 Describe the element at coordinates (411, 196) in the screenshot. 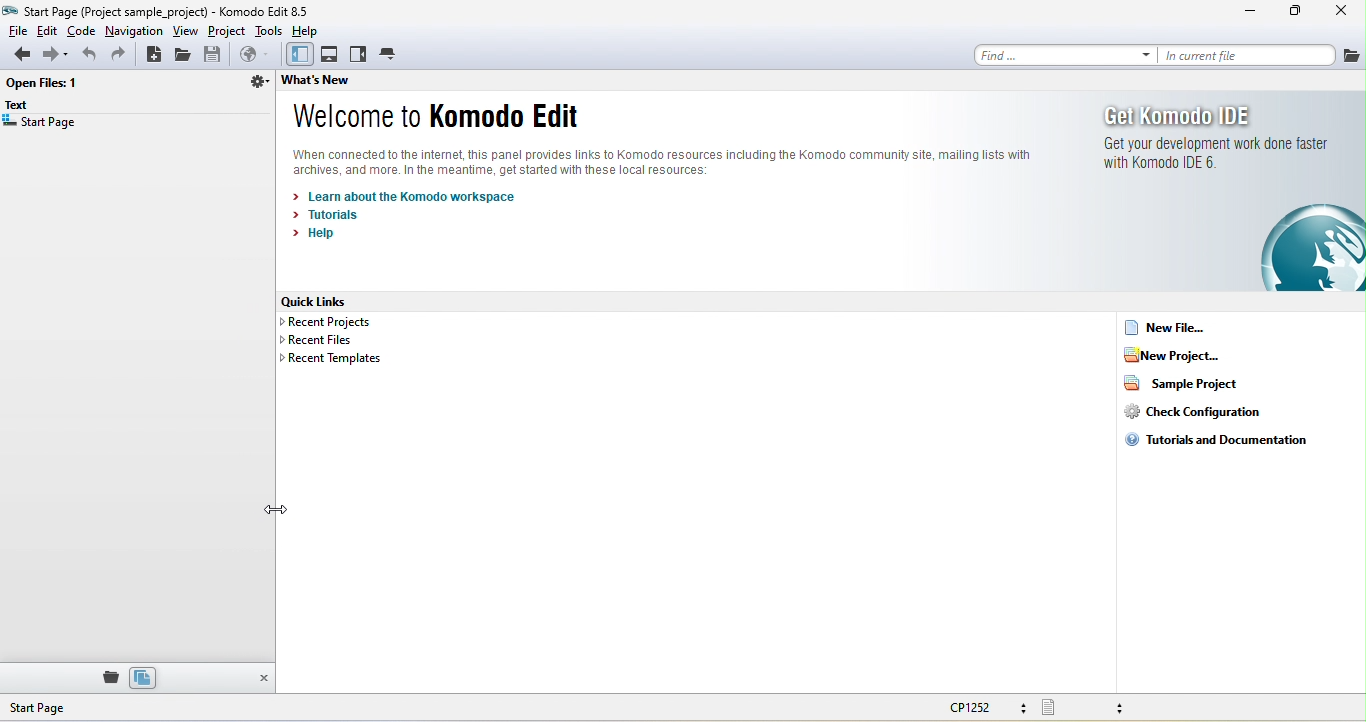

I see `learn about the komodo workspace` at that location.